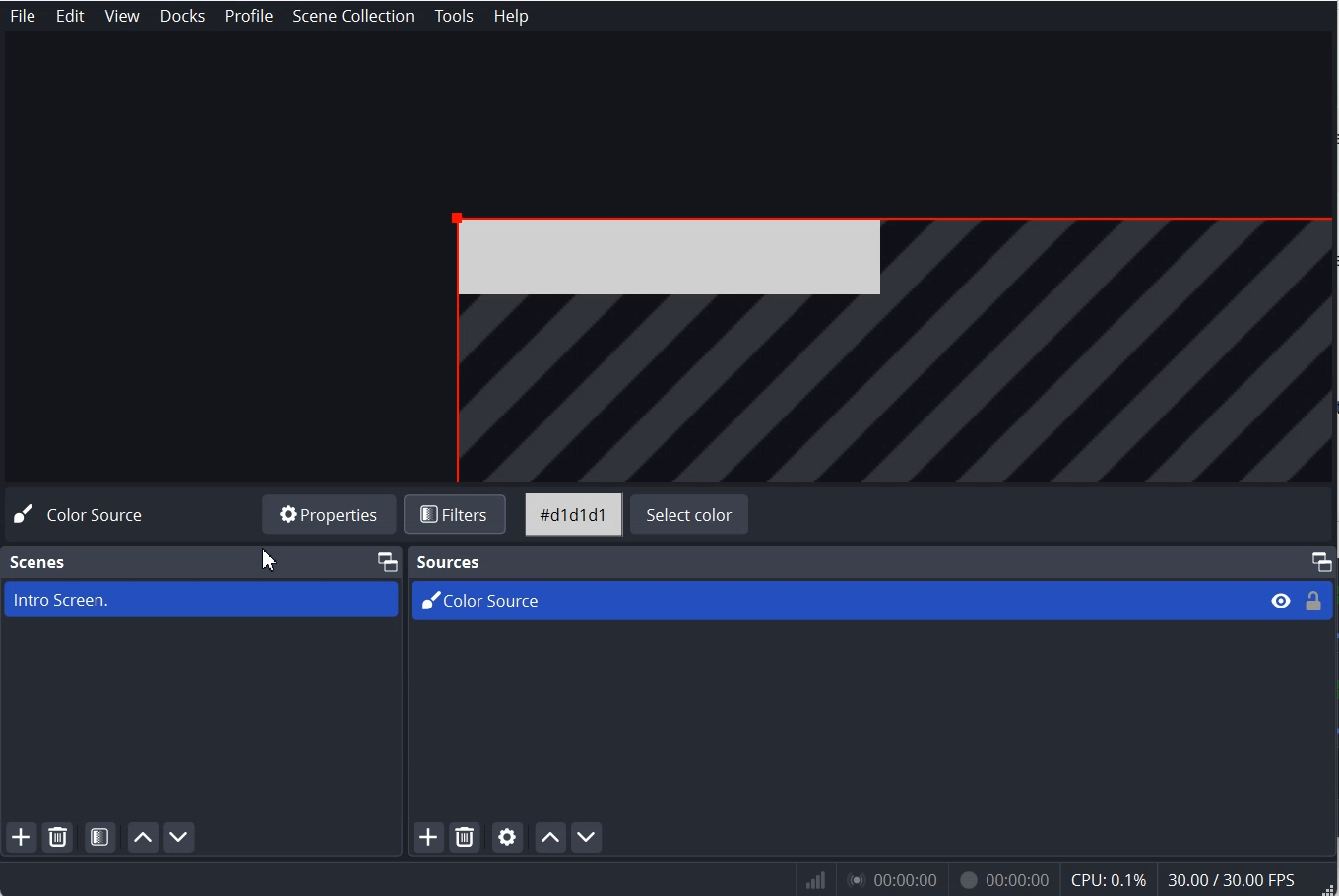 The width and height of the screenshot is (1339, 896). What do you see at coordinates (85, 514) in the screenshot?
I see `Color Source` at bounding box center [85, 514].